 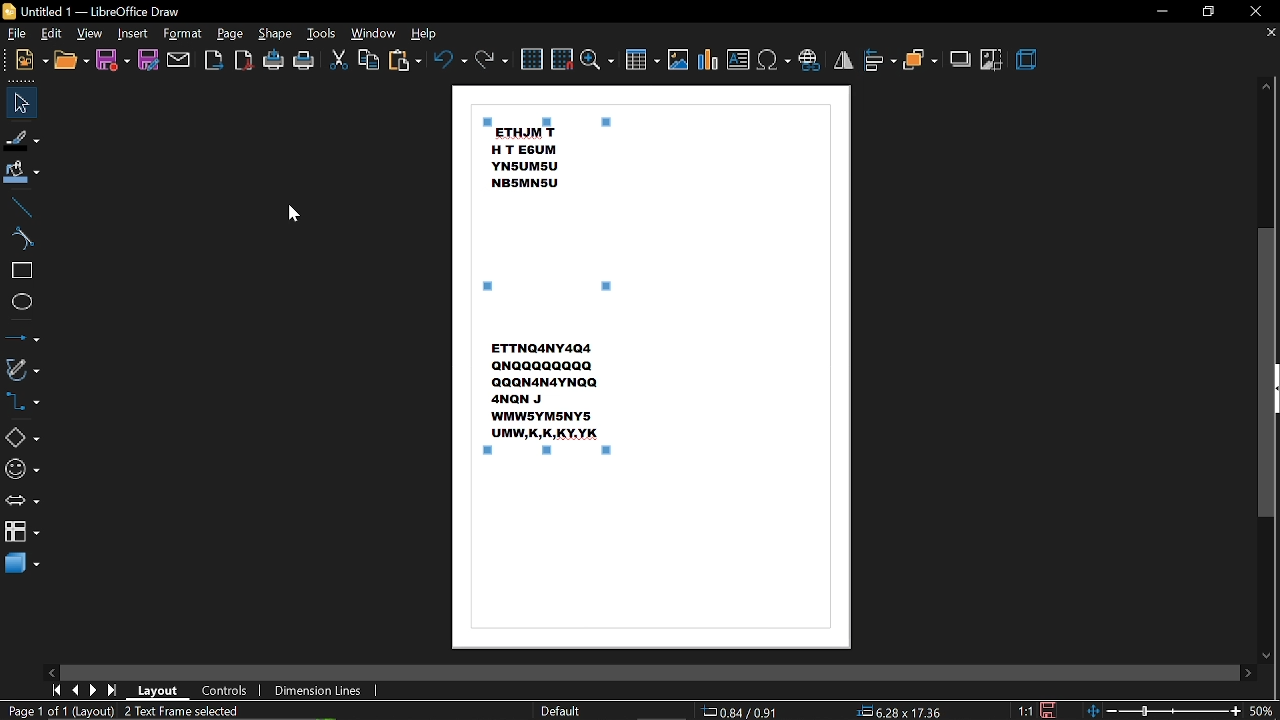 What do you see at coordinates (21, 533) in the screenshot?
I see `flowchart` at bounding box center [21, 533].